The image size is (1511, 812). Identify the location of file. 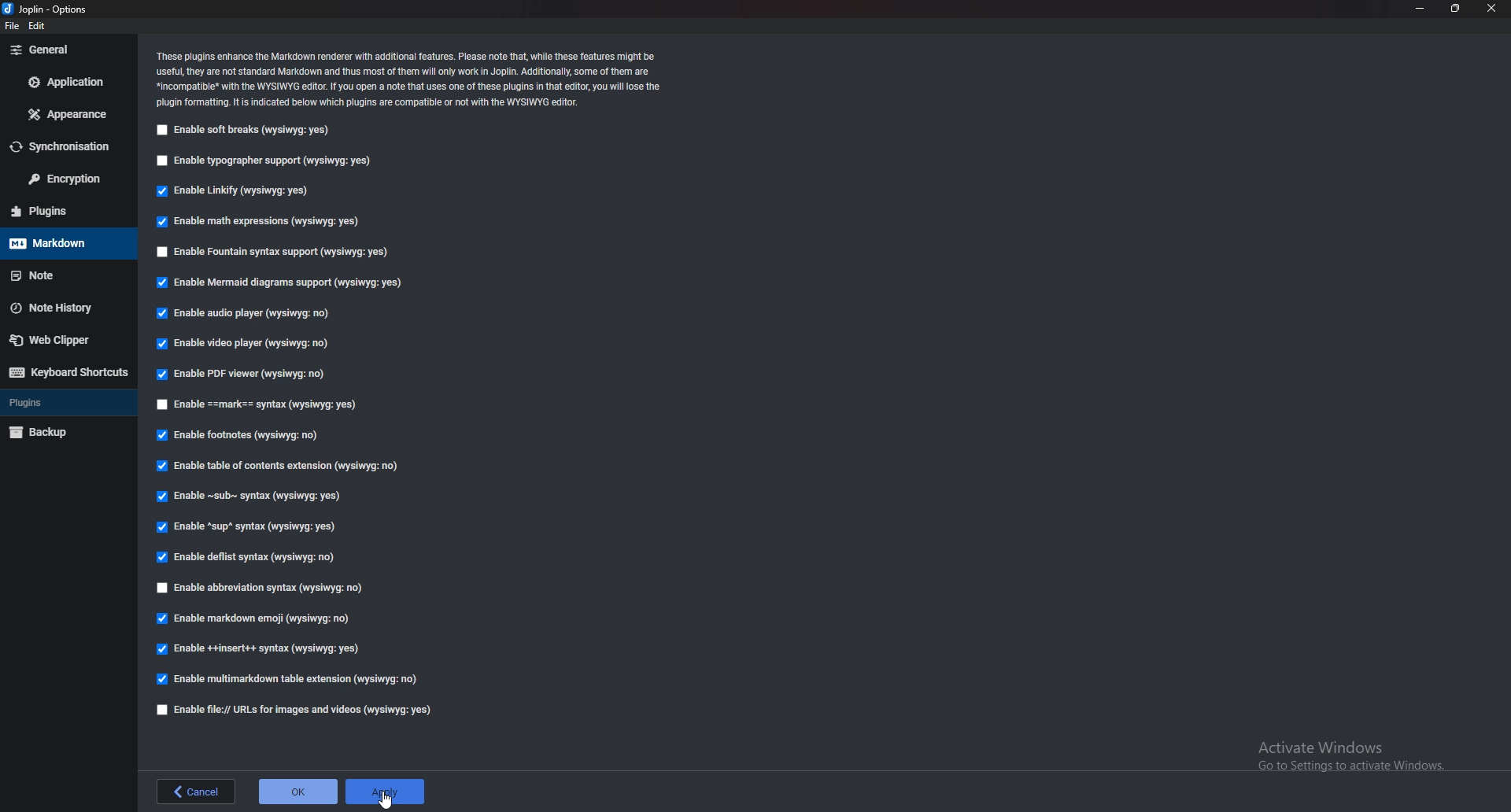
(11, 26).